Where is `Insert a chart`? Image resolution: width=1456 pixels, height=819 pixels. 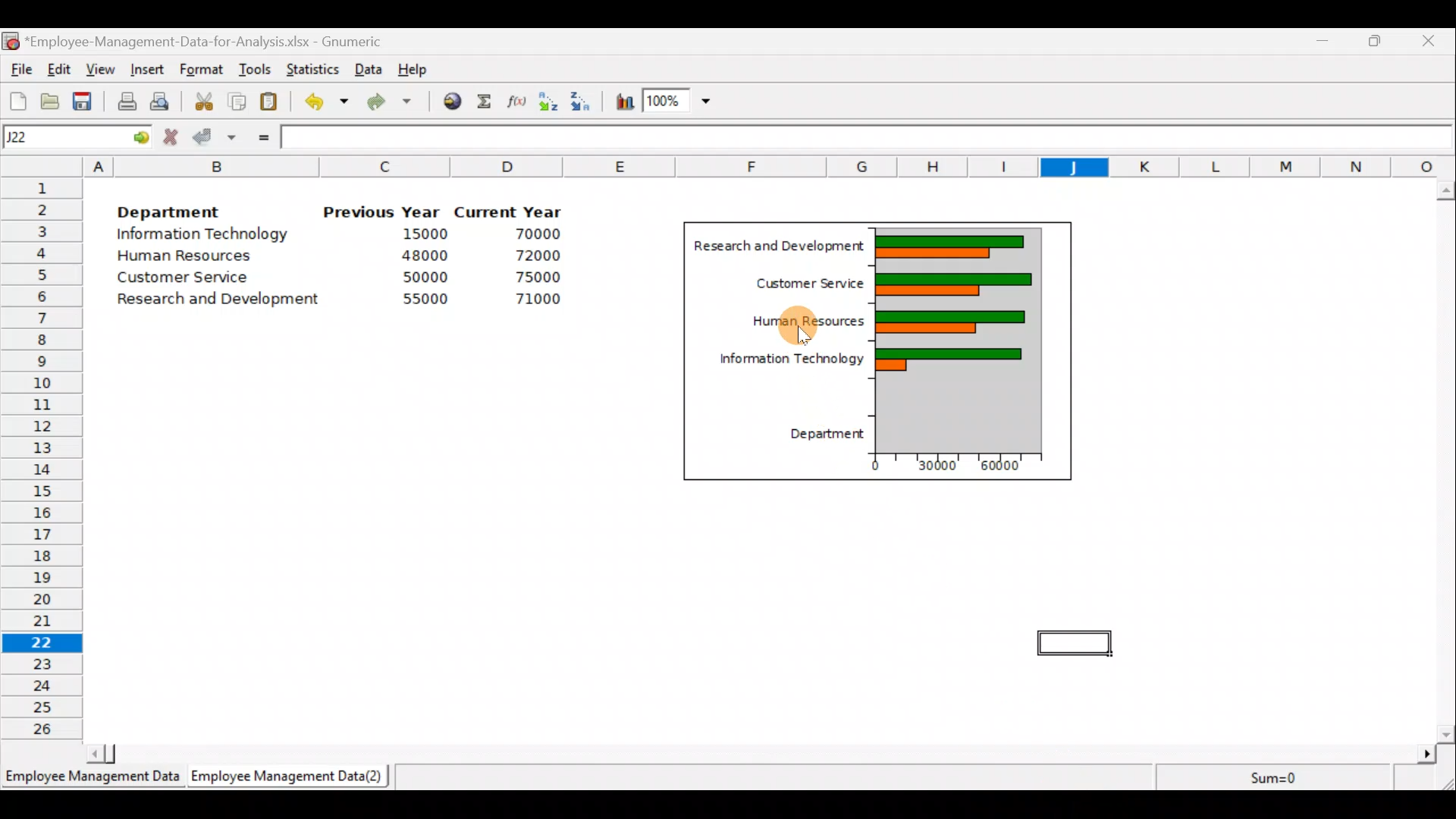
Insert a chart is located at coordinates (620, 101).